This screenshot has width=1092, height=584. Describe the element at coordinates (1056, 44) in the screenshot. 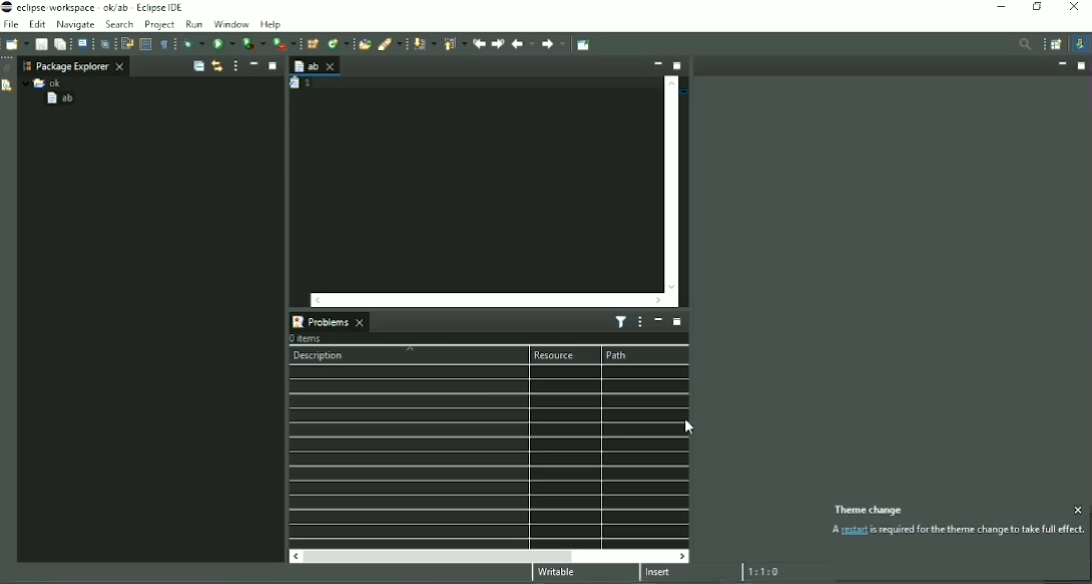

I see `Open Perspective` at that location.